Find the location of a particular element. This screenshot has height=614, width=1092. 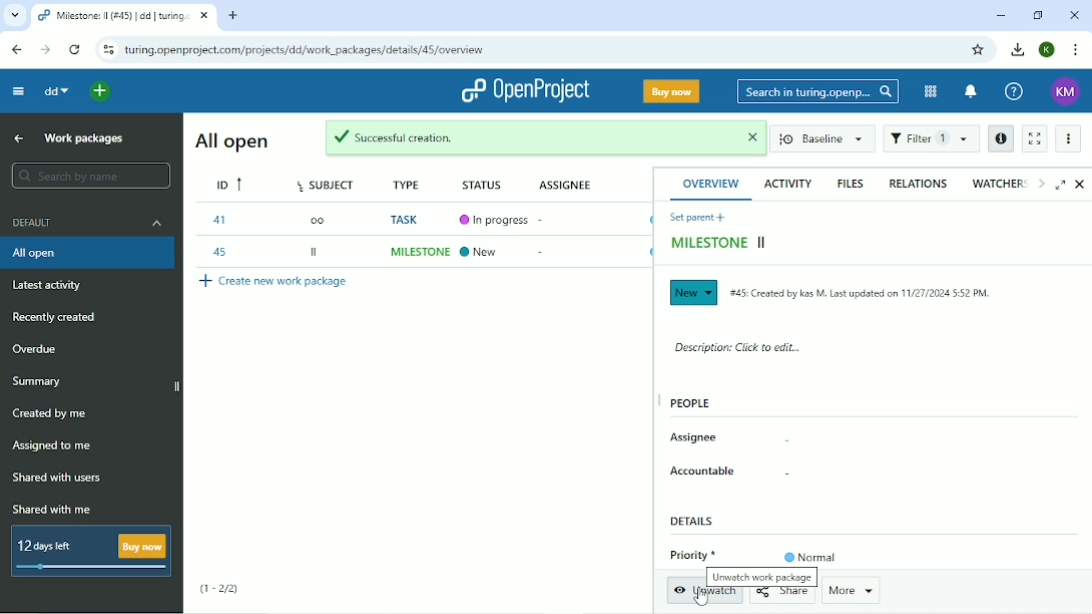

Files is located at coordinates (851, 183).